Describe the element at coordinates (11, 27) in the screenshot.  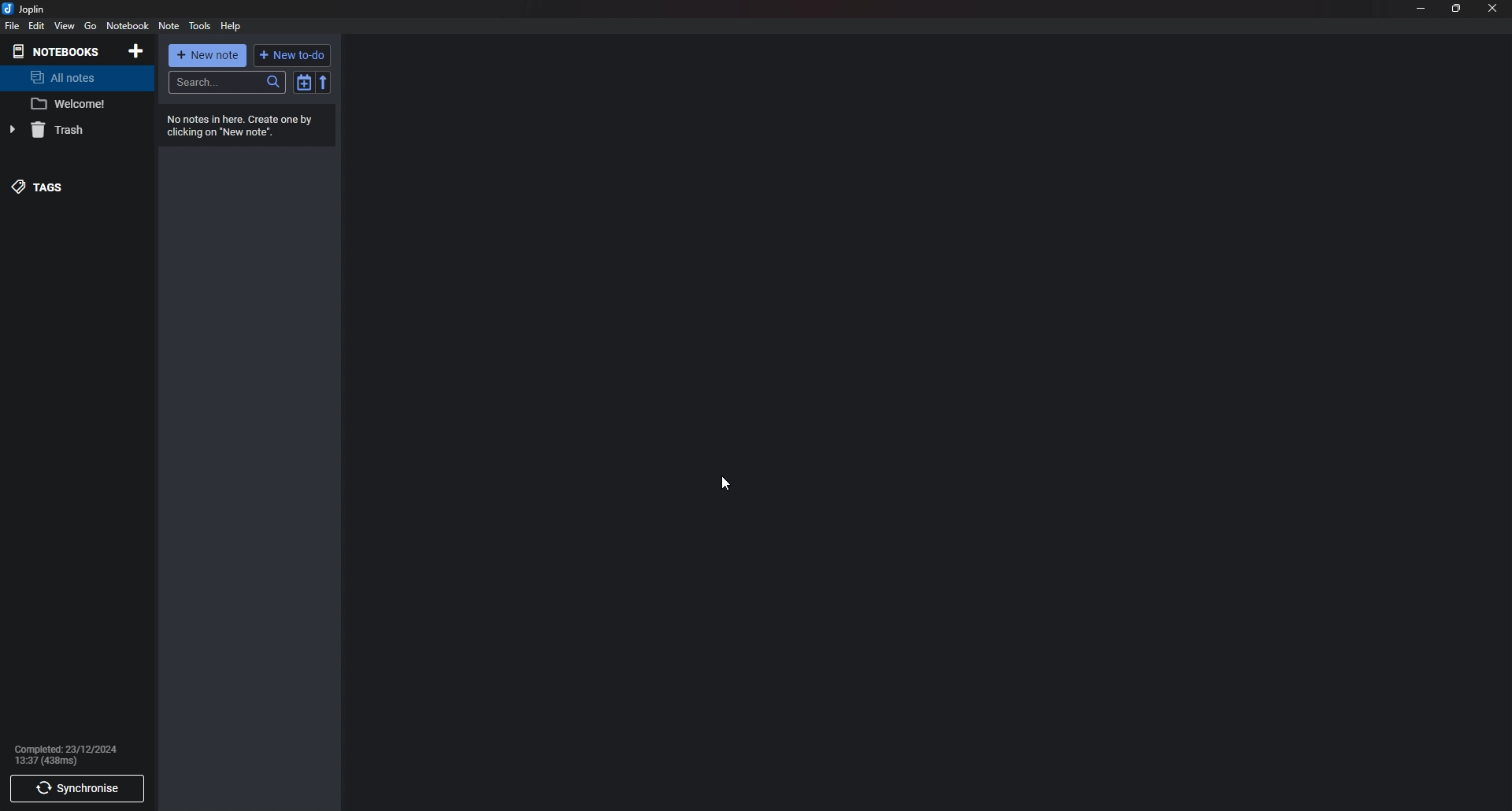
I see `file` at that location.